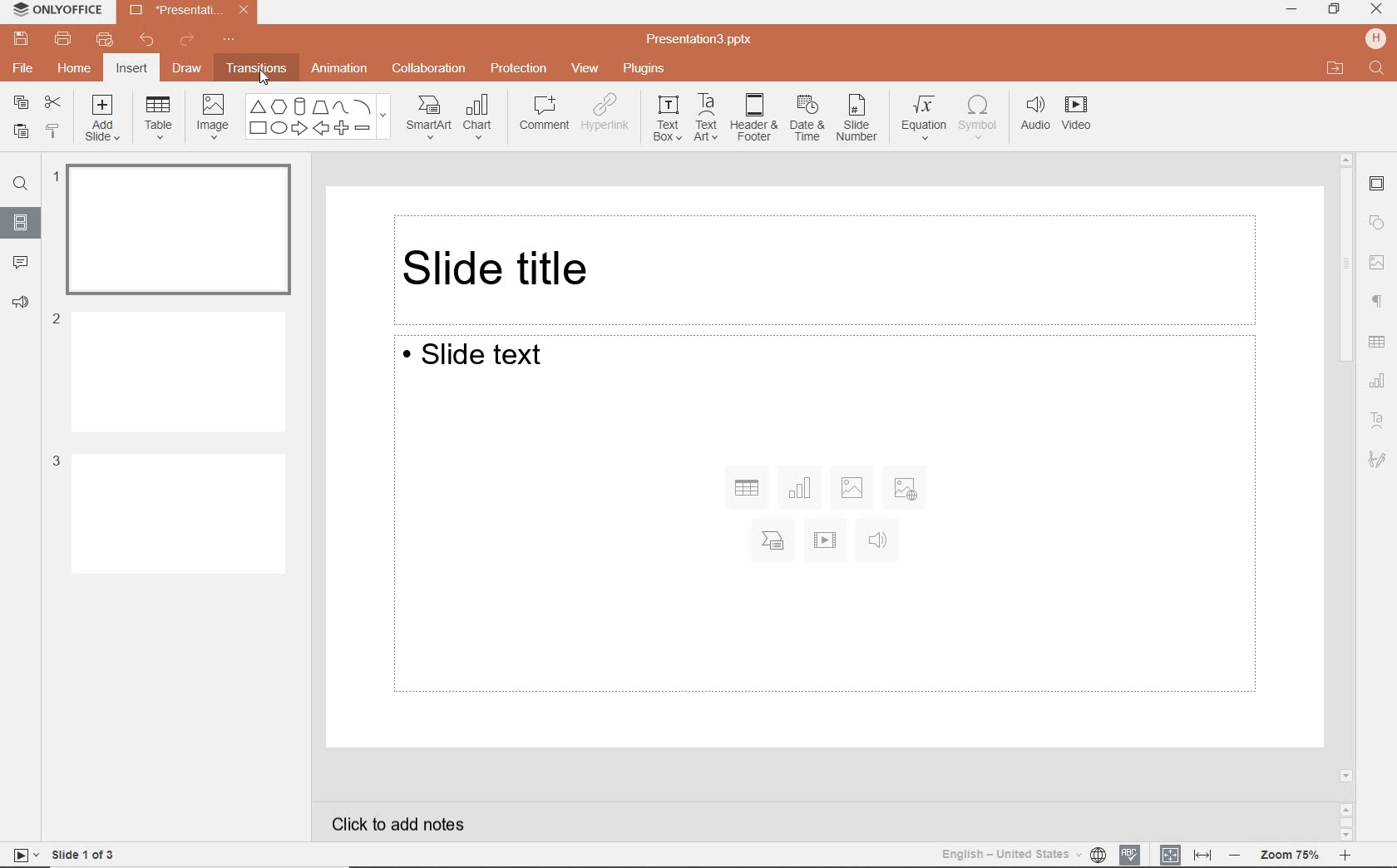 This screenshot has width=1397, height=868. Describe the element at coordinates (21, 222) in the screenshot. I see `slides` at that location.